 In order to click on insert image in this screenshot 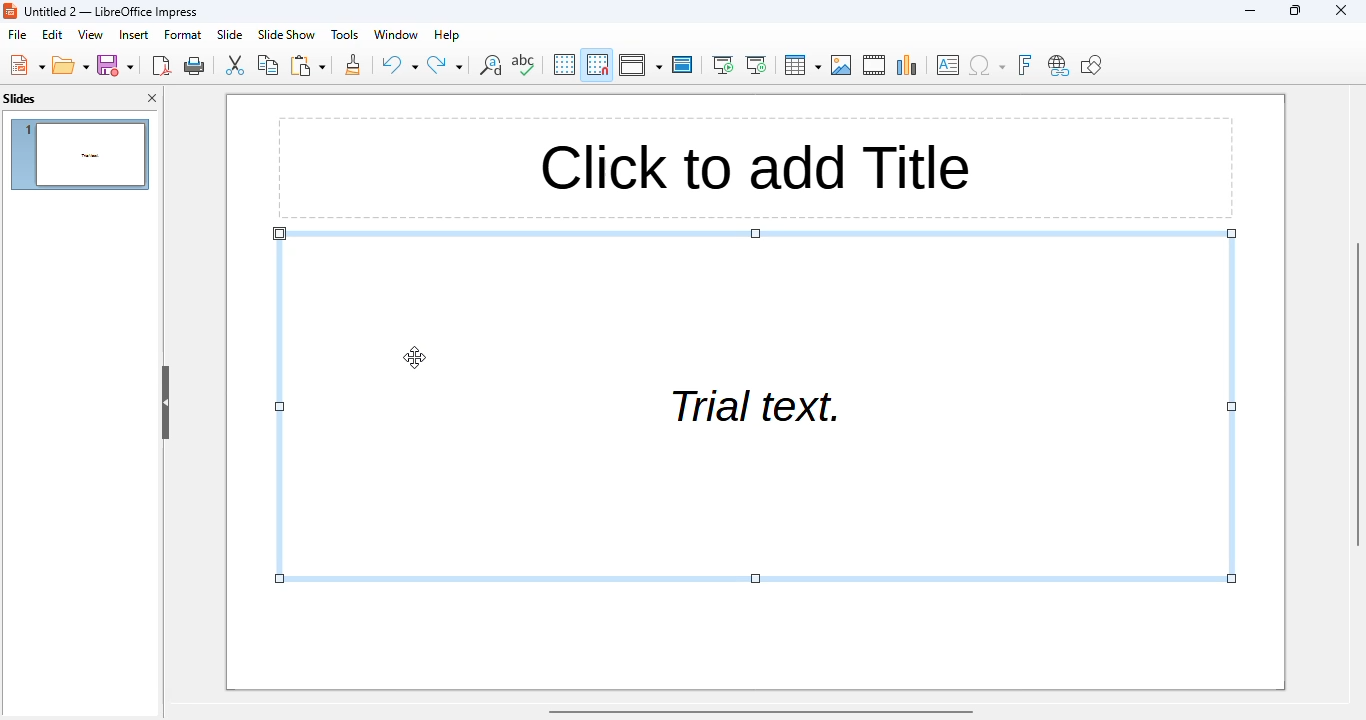, I will do `click(843, 65)`.